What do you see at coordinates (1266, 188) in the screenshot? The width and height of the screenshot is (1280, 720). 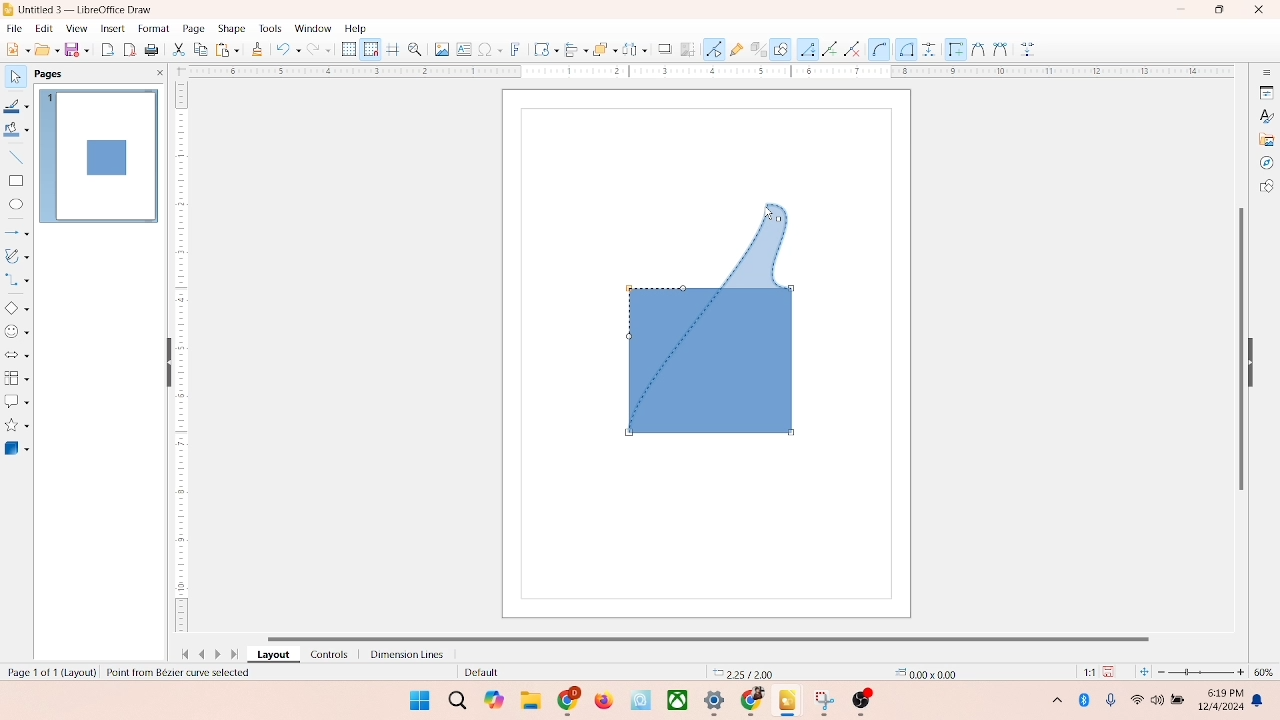 I see `shapes` at bounding box center [1266, 188].